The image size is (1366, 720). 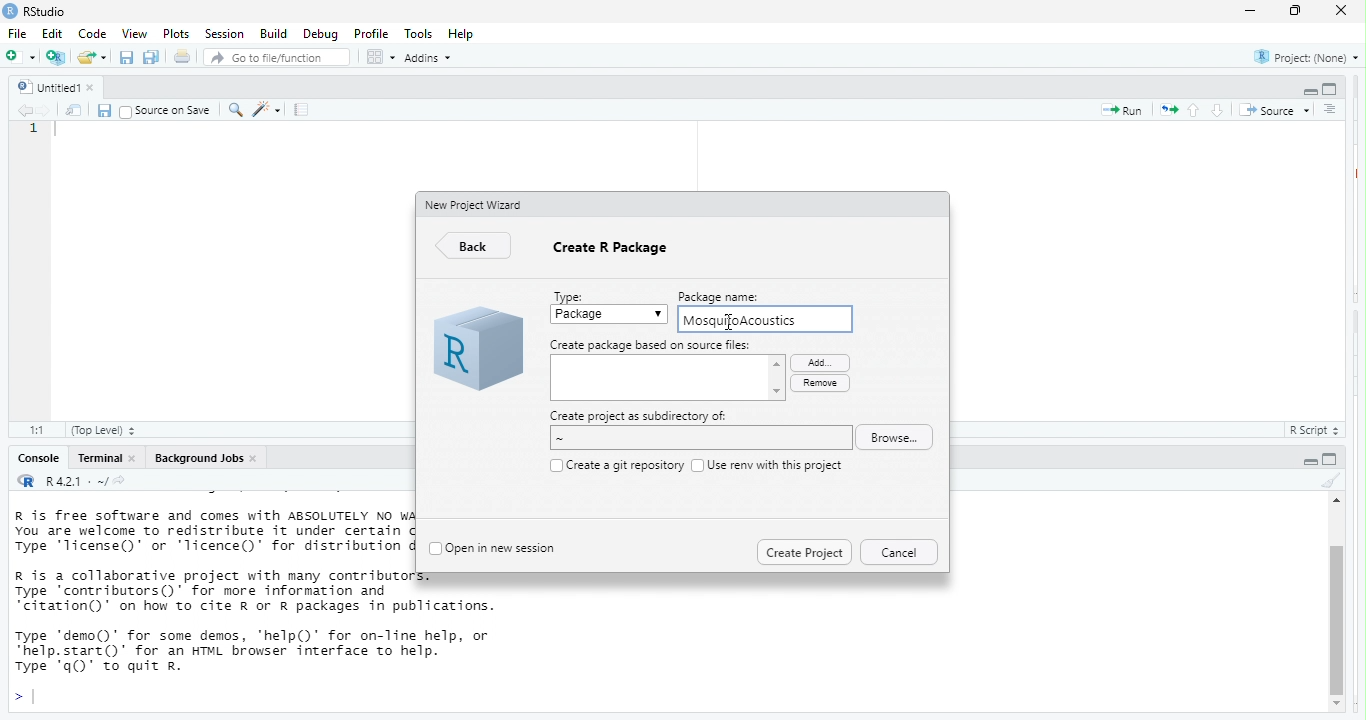 What do you see at coordinates (45, 85) in the screenshot?
I see ` Untitled1` at bounding box center [45, 85].